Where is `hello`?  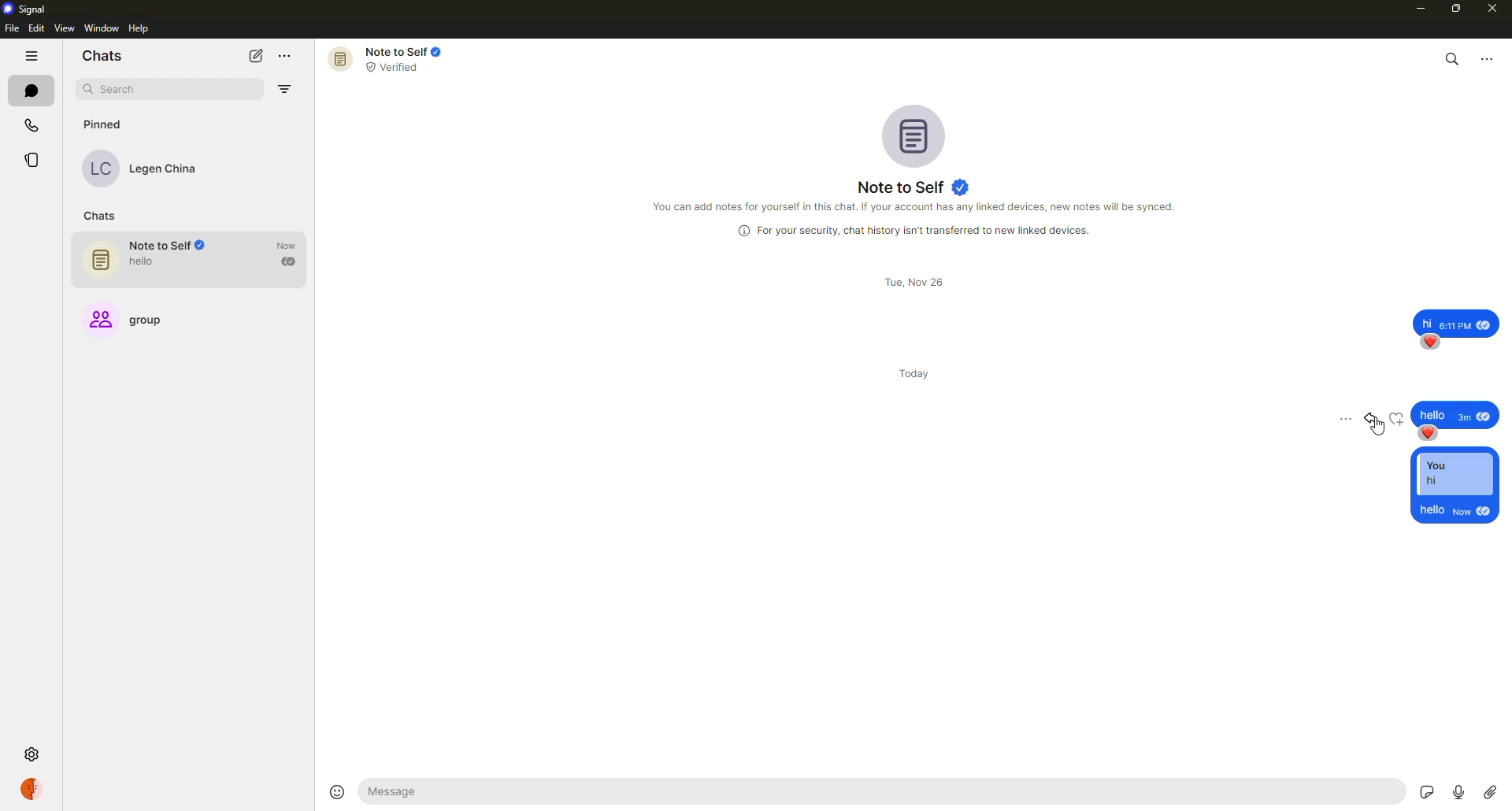 hello is located at coordinates (407, 791).